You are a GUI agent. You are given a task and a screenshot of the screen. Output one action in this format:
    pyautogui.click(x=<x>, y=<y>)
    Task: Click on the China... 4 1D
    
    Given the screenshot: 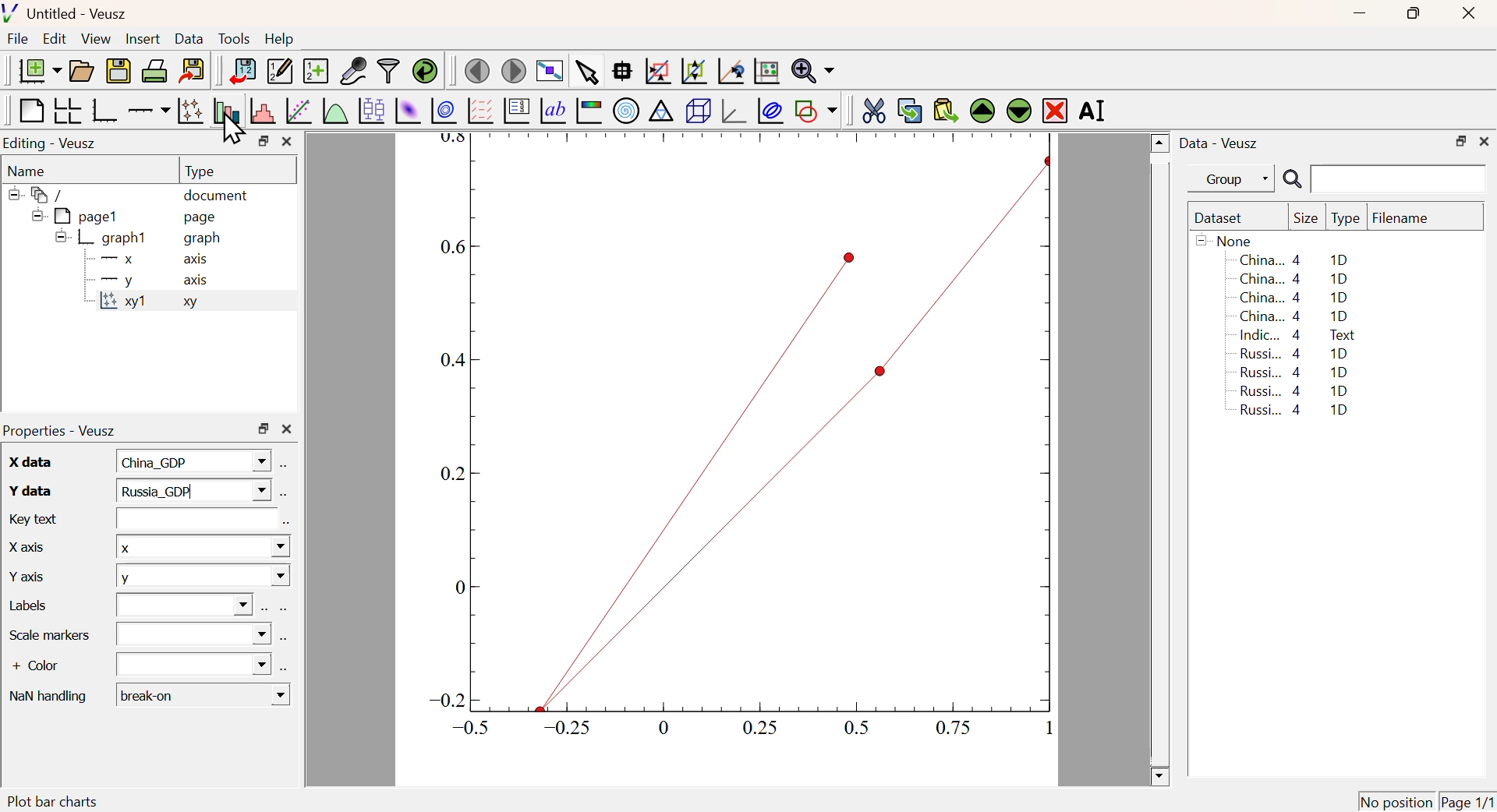 What is the action you would take?
    pyautogui.click(x=1296, y=298)
    